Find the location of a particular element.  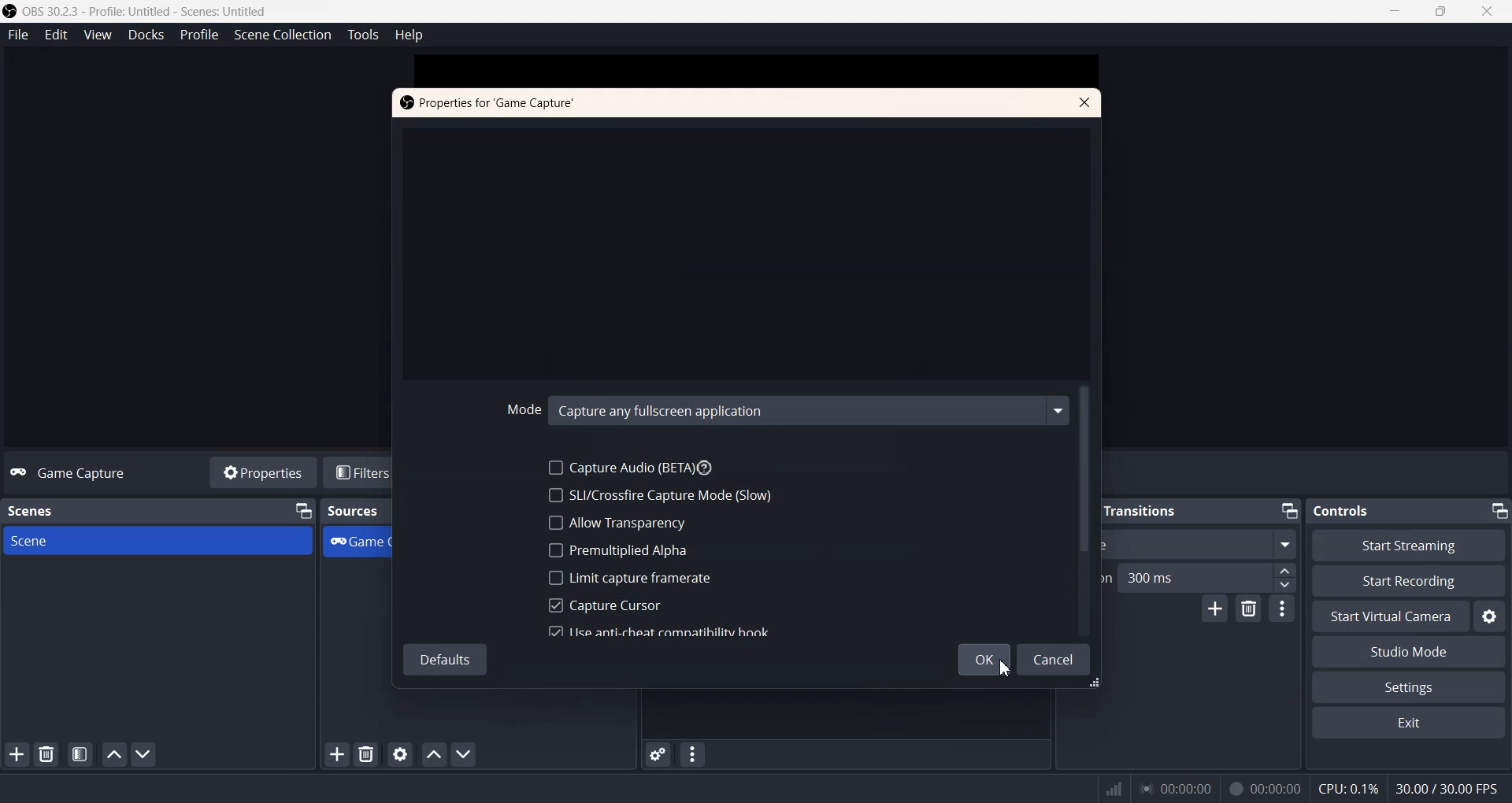

Edit is located at coordinates (57, 34).